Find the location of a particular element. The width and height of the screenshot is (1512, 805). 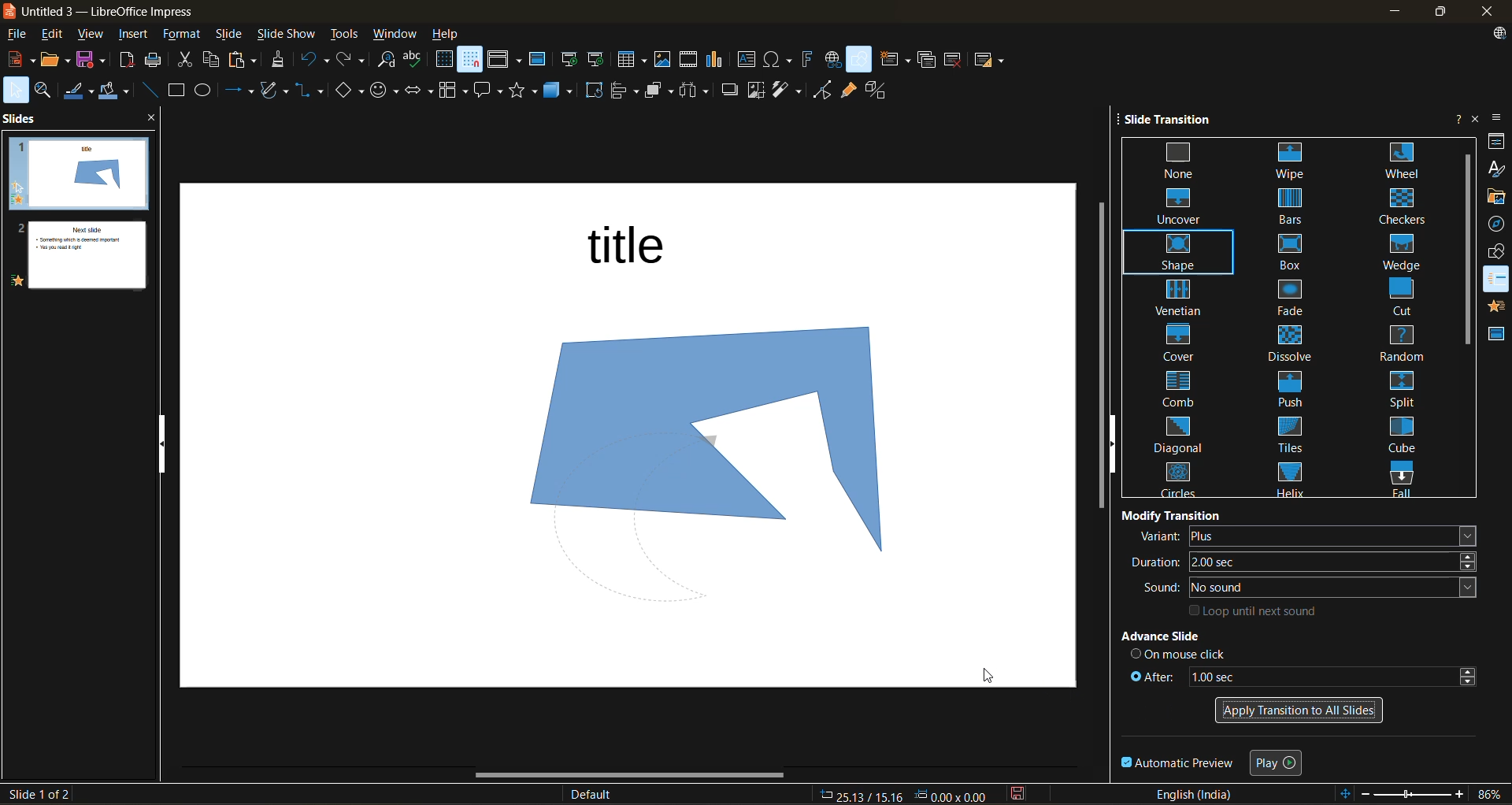

align objects is located at coordinates (625, 92).